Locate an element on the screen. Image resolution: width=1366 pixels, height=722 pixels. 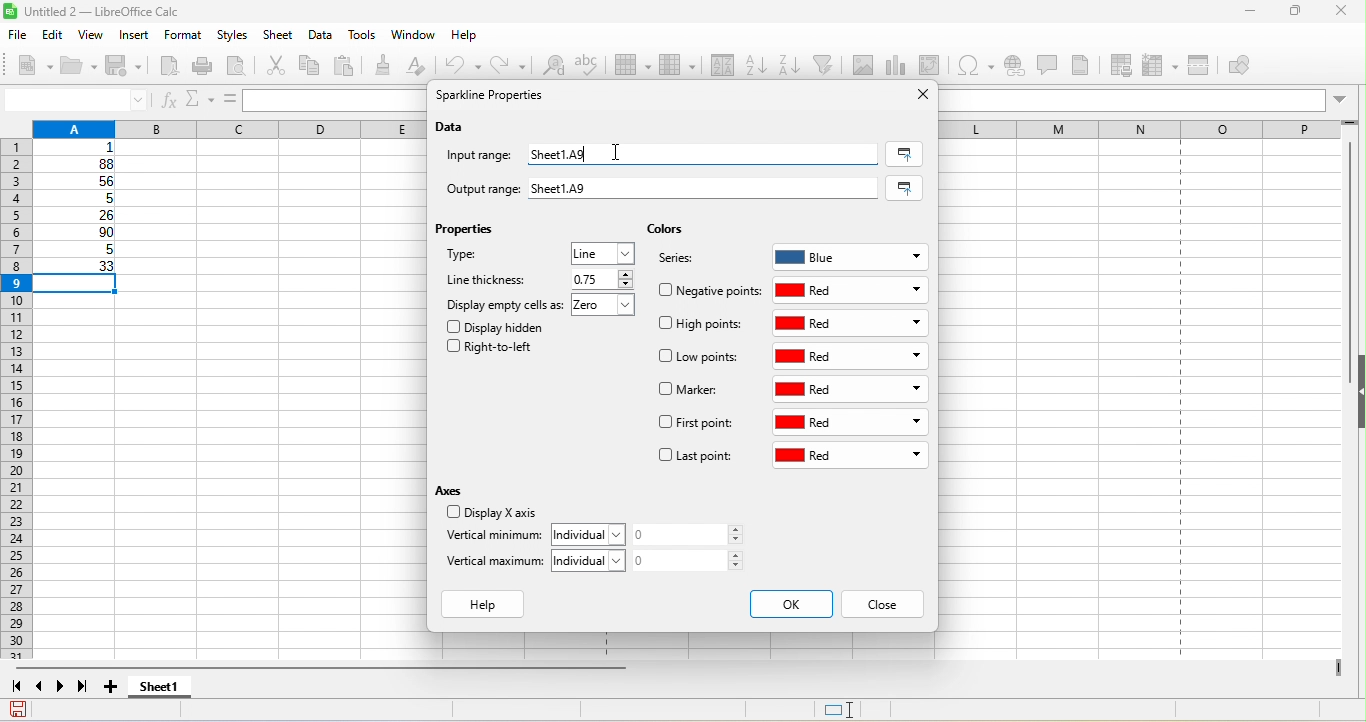
output range is located at coordinates (474, 186).